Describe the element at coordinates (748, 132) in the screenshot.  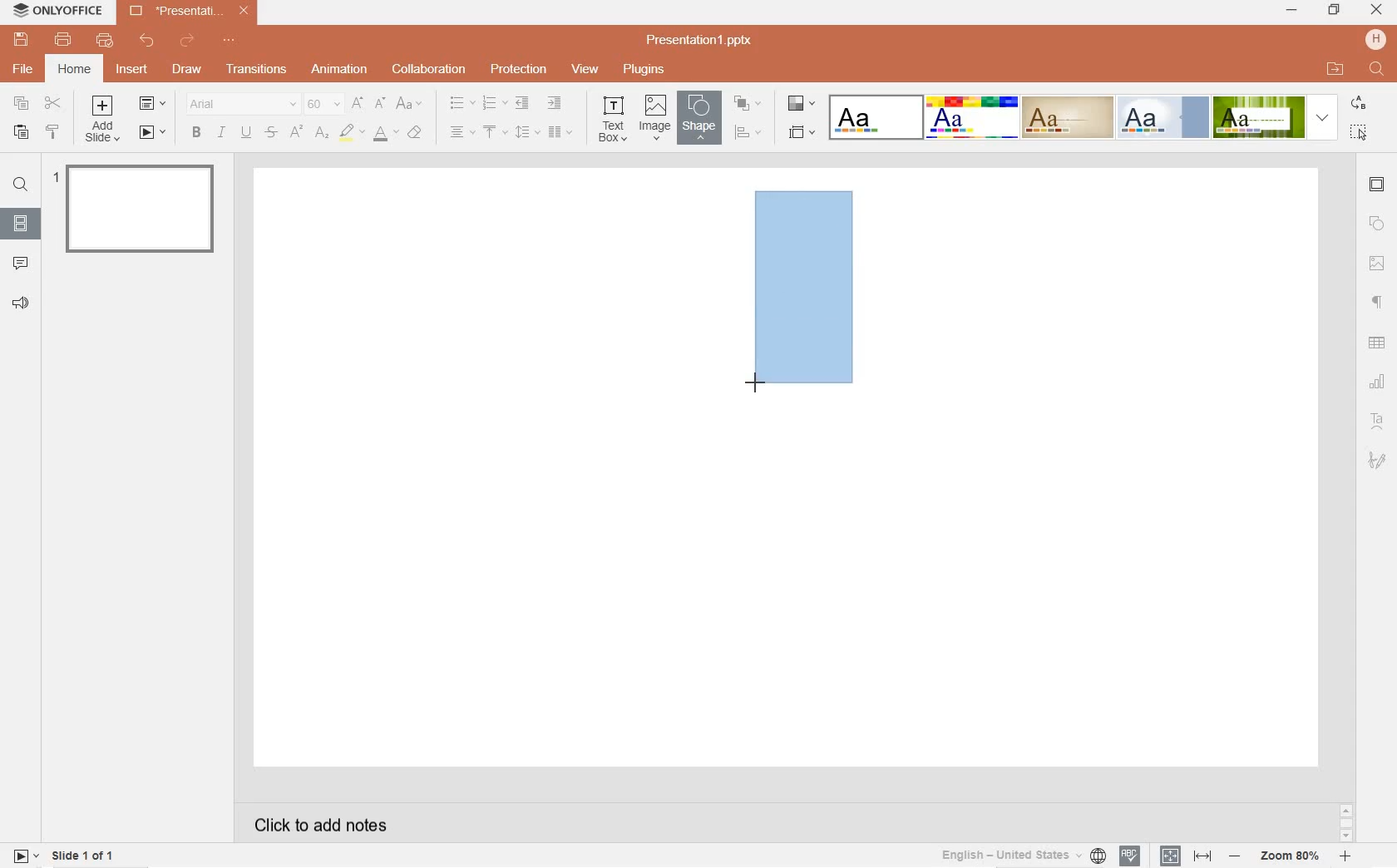
I see `align shape` at that location.